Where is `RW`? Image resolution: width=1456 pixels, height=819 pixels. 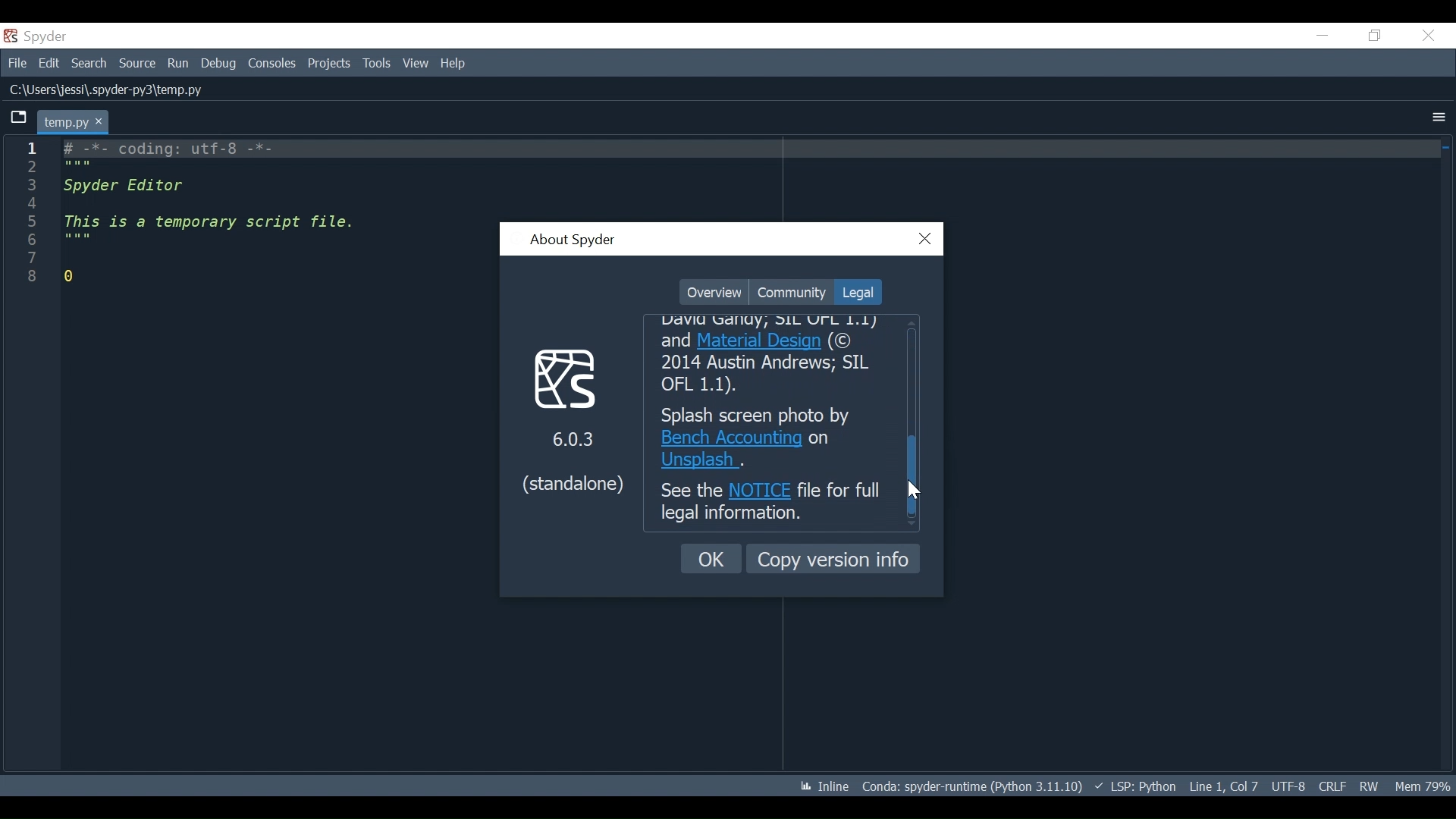
RW is located at coordinates (1368, 786).